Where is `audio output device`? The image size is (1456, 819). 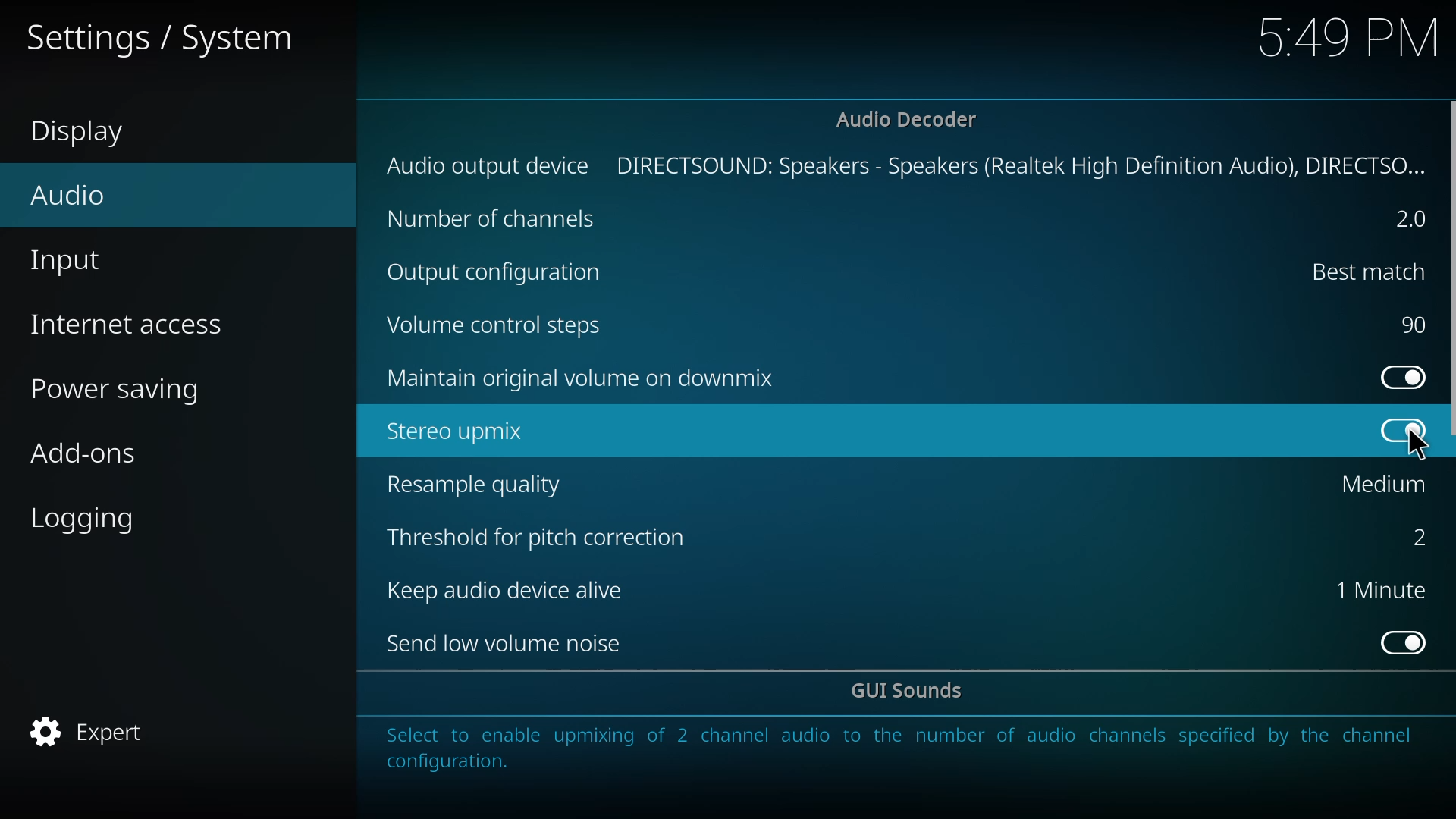
audio output device is located at coordinates (488, 165).